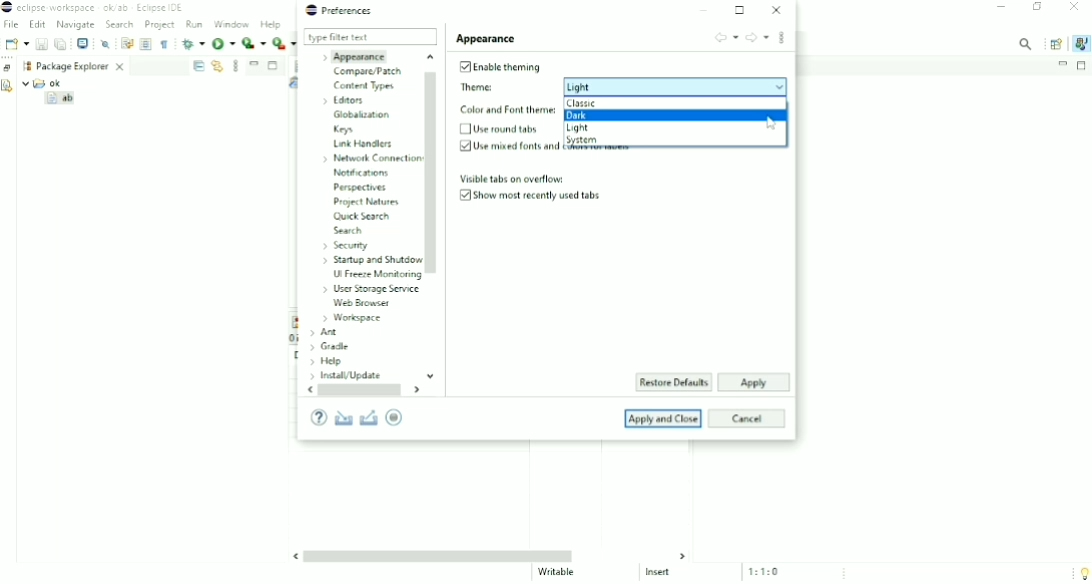 Image resolution: width=1092 pixels, height=584 pixels. Describe the element at coordinates (582, 104) in the screenshot. I see `Classic` at that location.